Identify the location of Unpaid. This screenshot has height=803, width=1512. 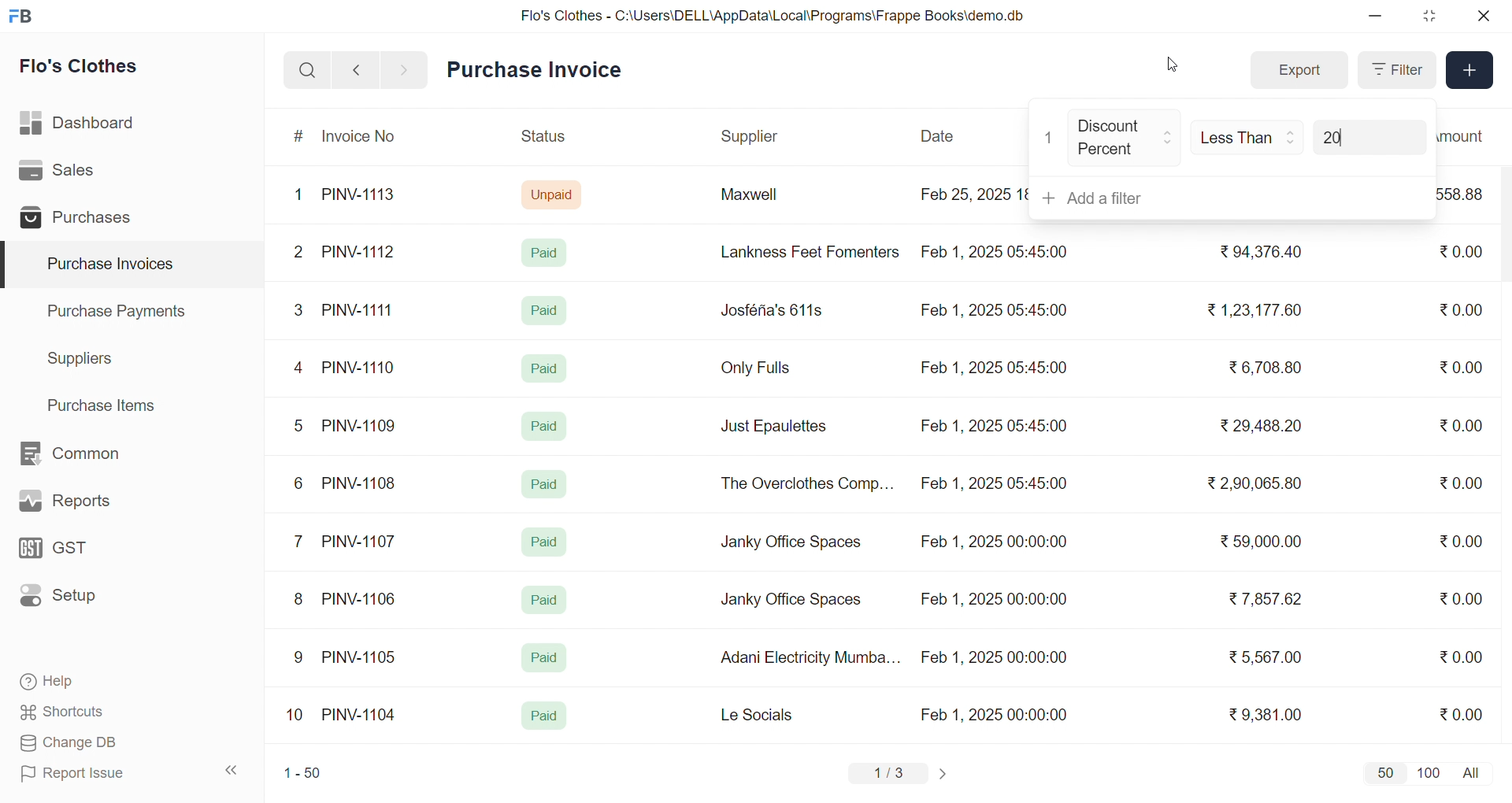
(554, 194).